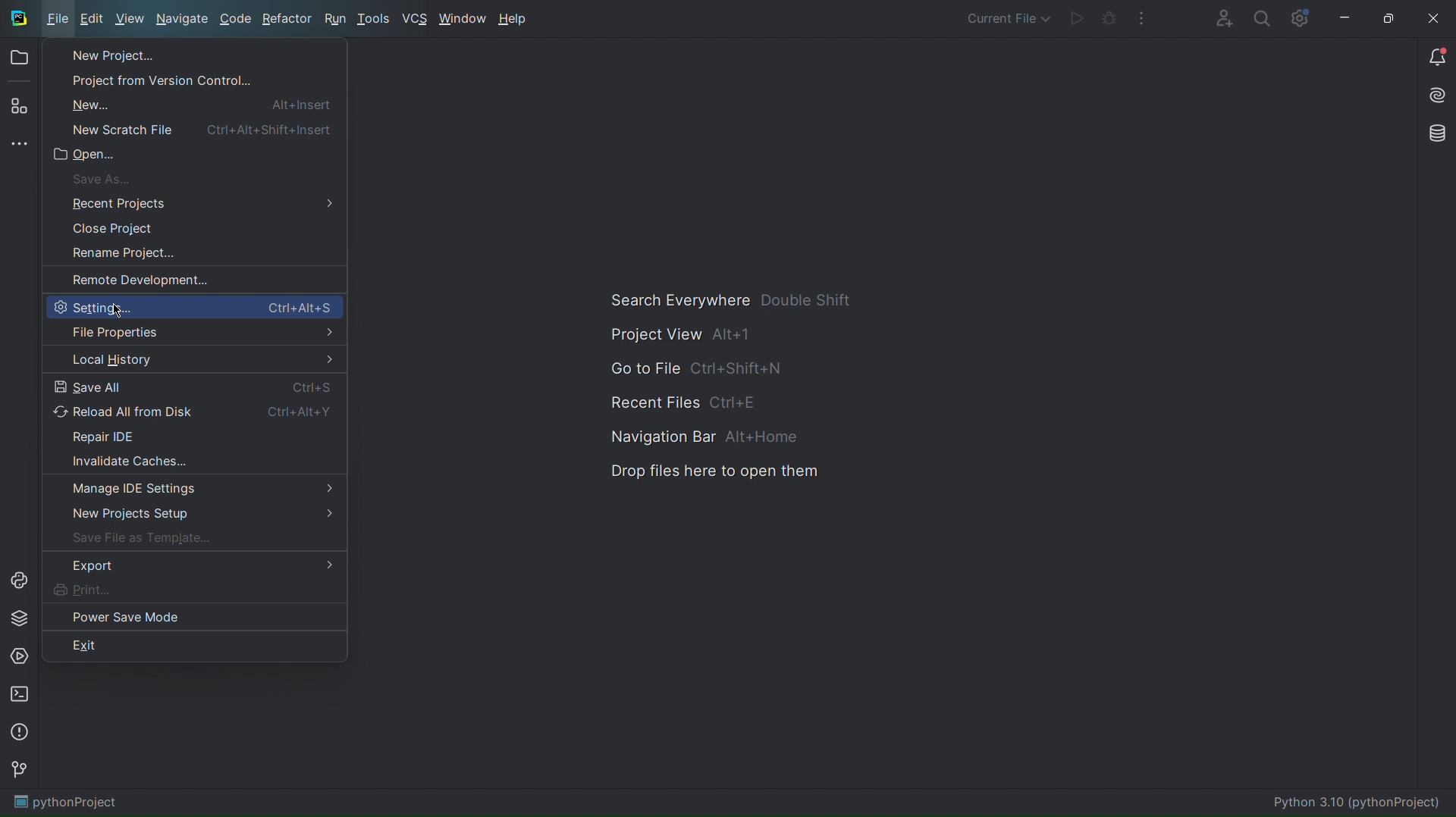  I want to click on Project View, so click(689, 339).